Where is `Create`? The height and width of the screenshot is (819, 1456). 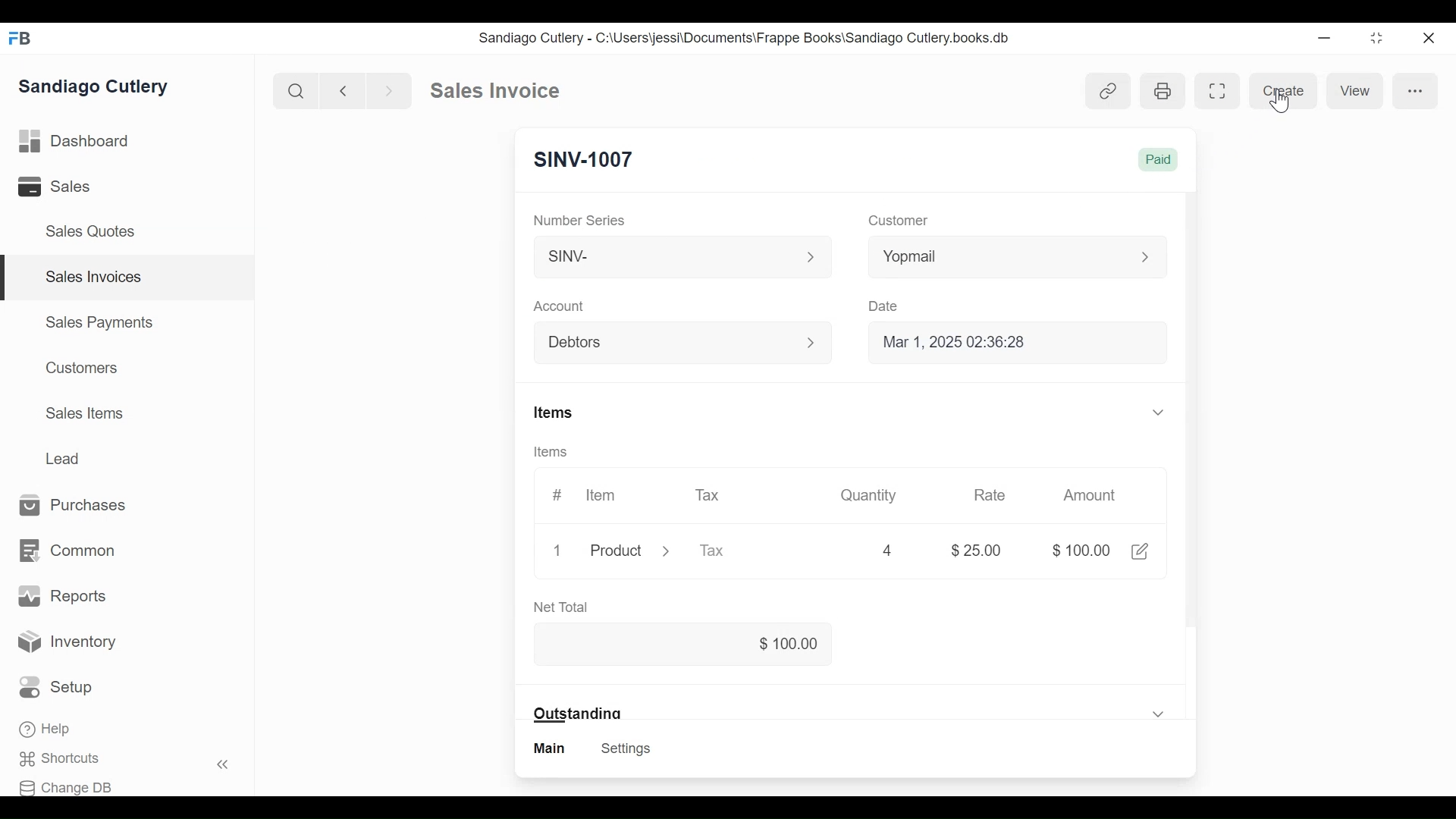 Create is located at coordinates (1285, 89).